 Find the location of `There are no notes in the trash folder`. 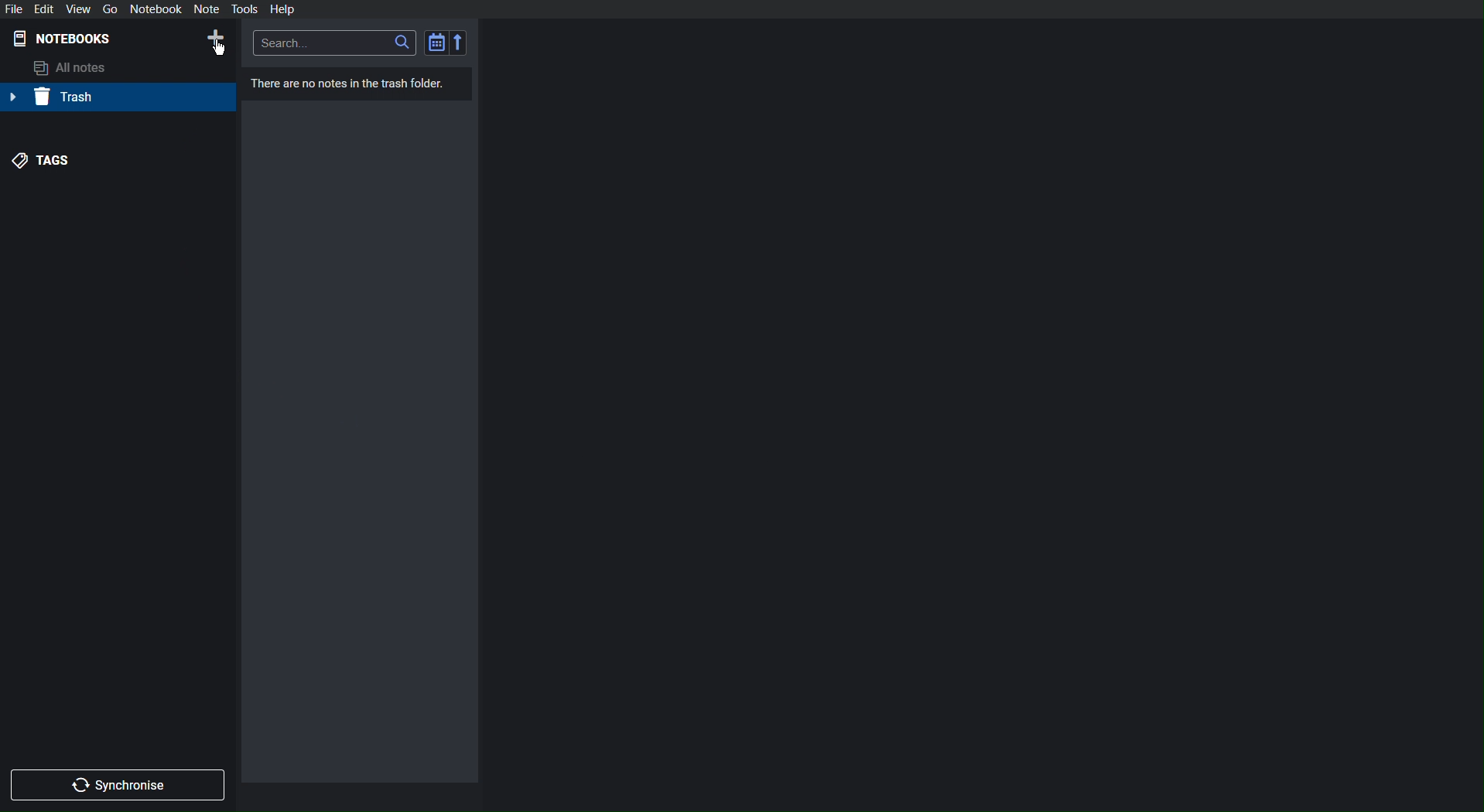

There are no notes in the trash folder is located at coordinates (344, 83).